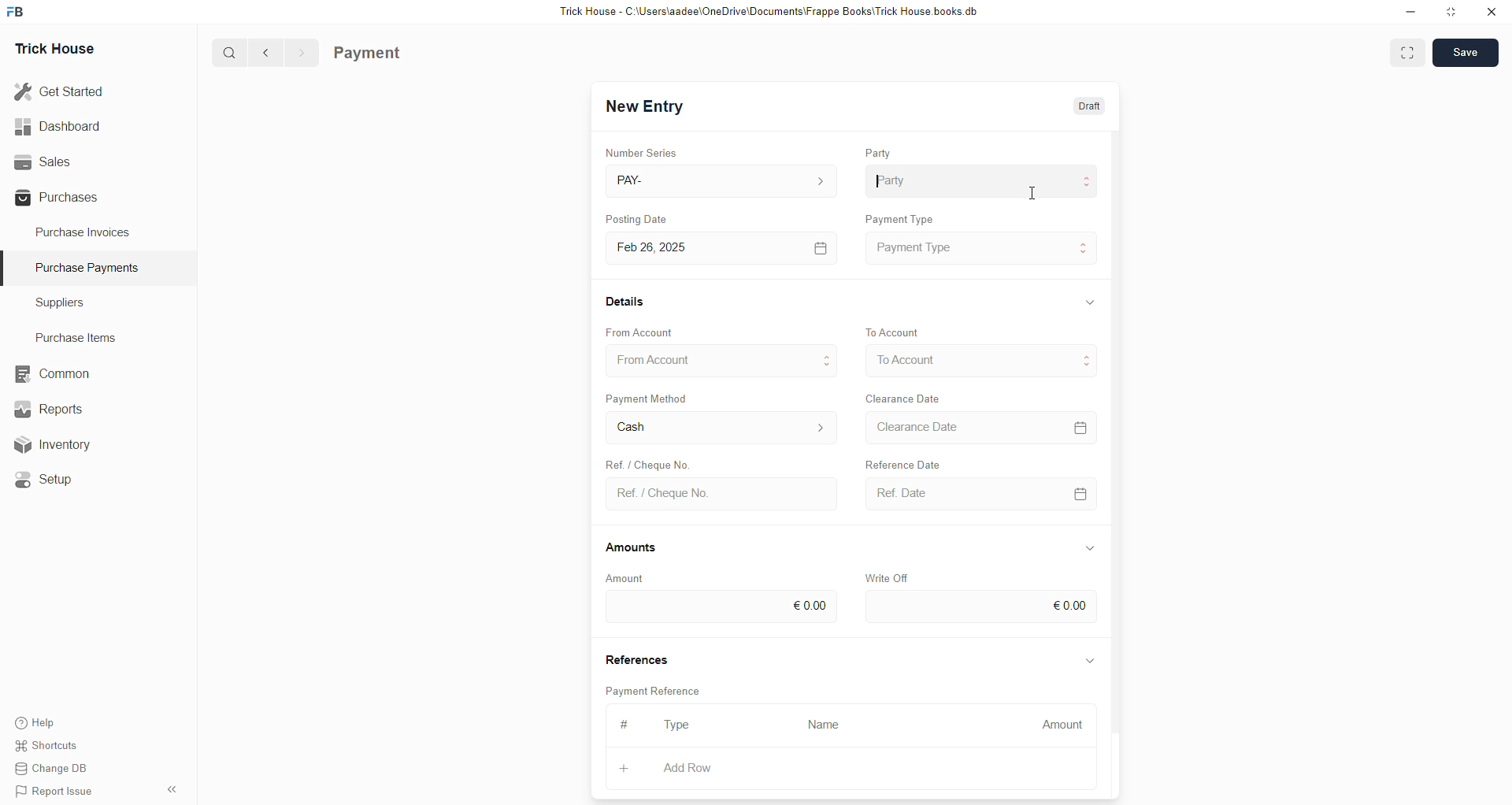 The height and width of the screenshot is (805, 1512). What do you see at coordinates (370, 52) in the screenshot?
I see `Payment` at bounding box center [370, 52].